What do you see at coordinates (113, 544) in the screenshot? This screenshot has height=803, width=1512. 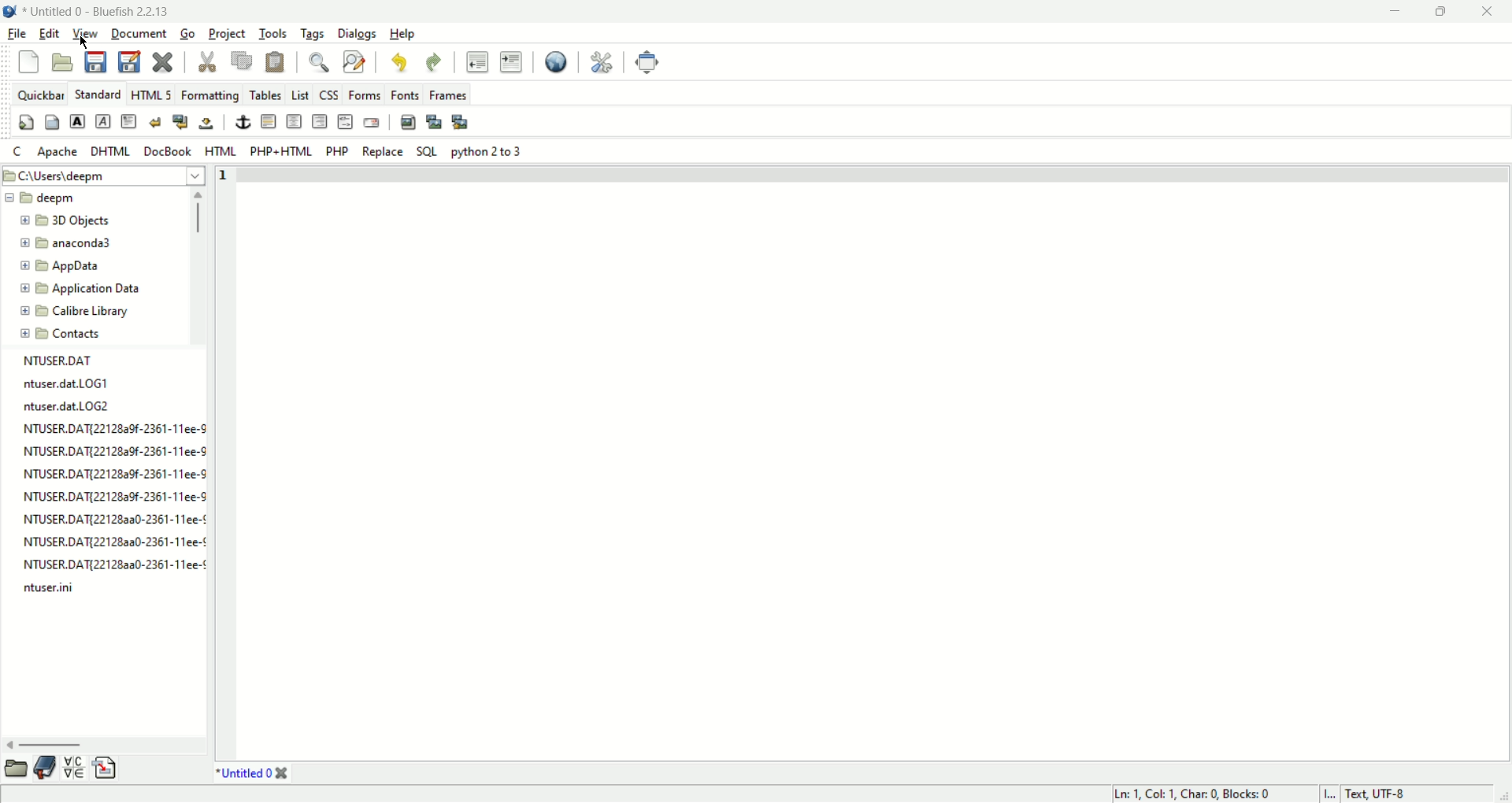 I see `NTUSER.DAT{221282a0-2361-11ee-¢` at bounding box center [113, 544].